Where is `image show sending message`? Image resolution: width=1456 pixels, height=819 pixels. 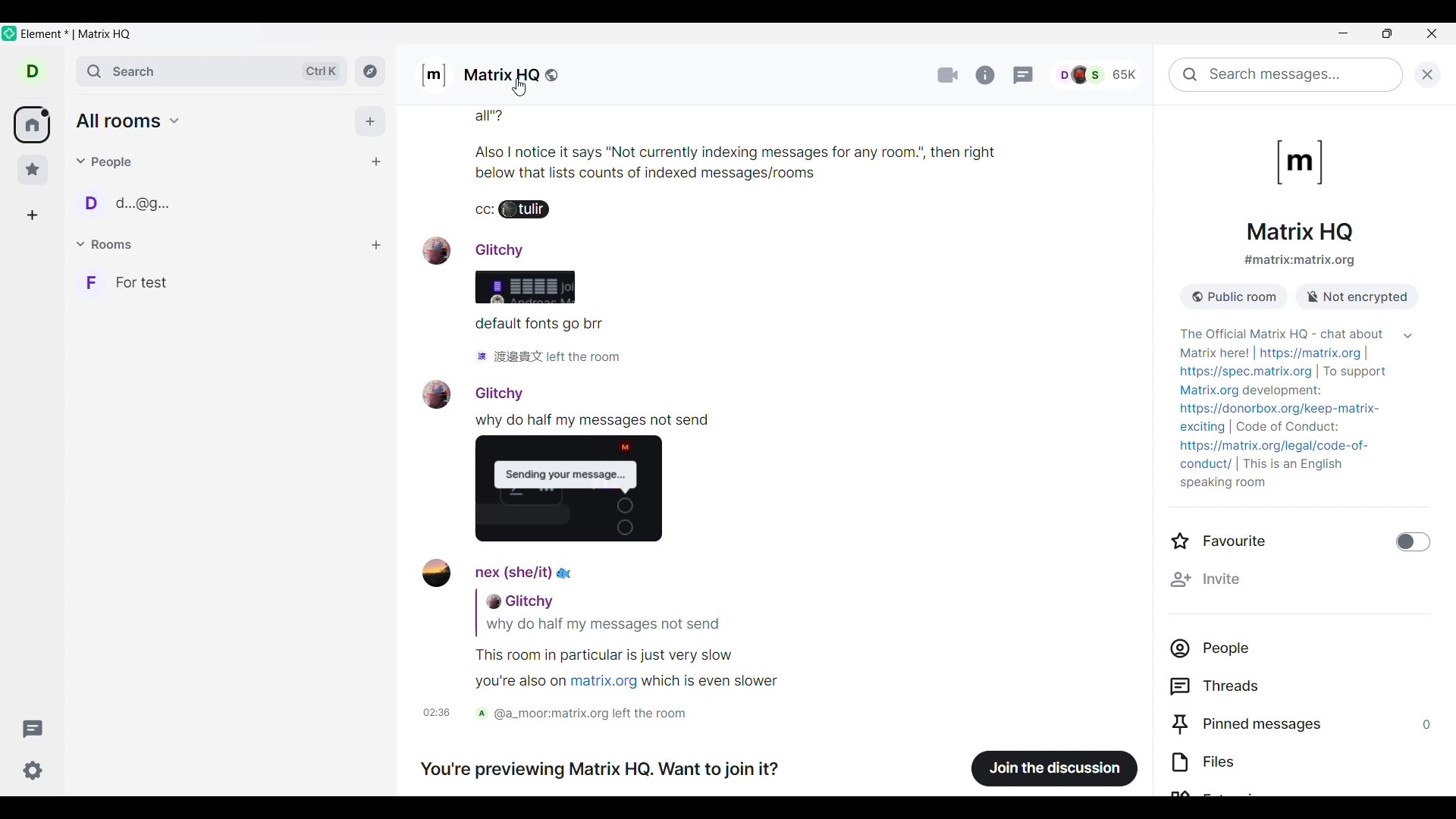
image show sending message is located at coordinates (576, 494).